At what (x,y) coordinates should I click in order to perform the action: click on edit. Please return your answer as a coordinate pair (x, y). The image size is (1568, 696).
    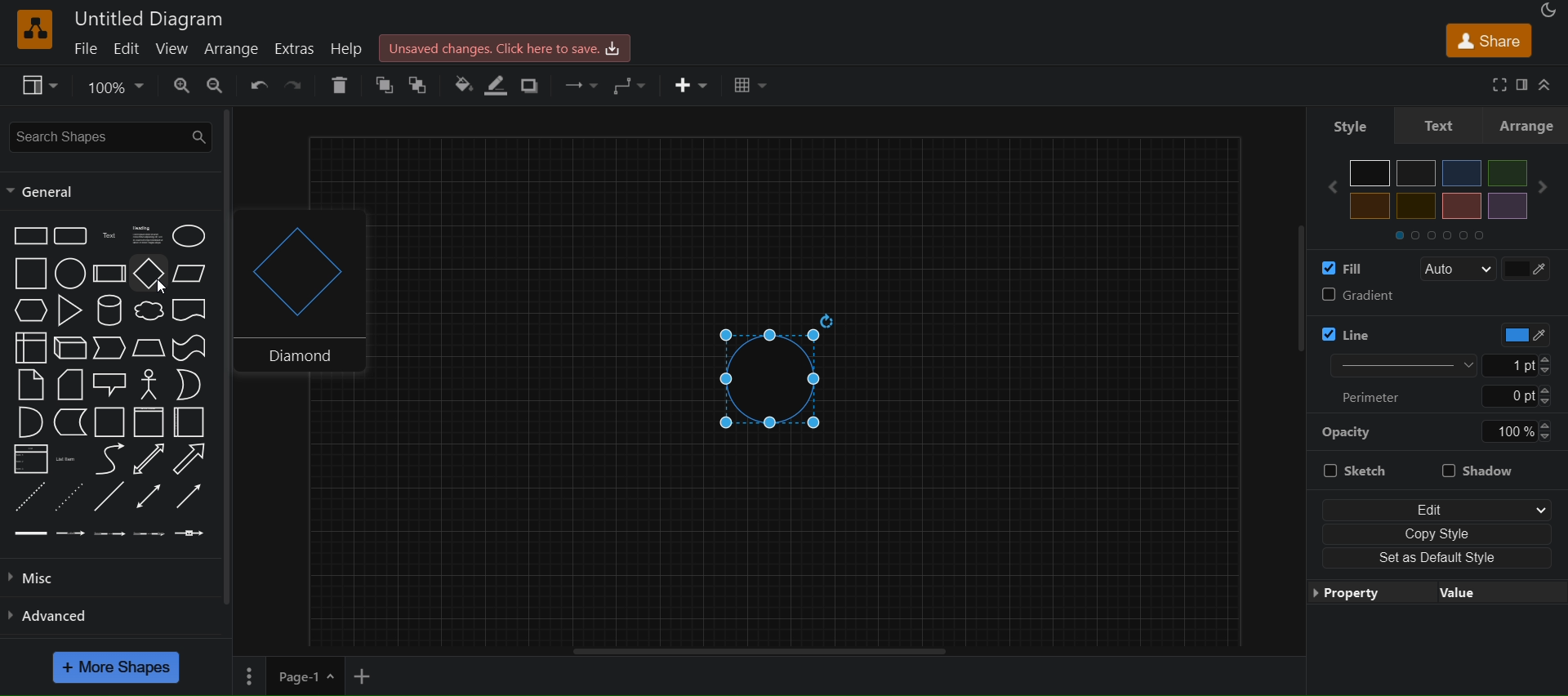
    Looking at the image, I should click on (1436, 505).